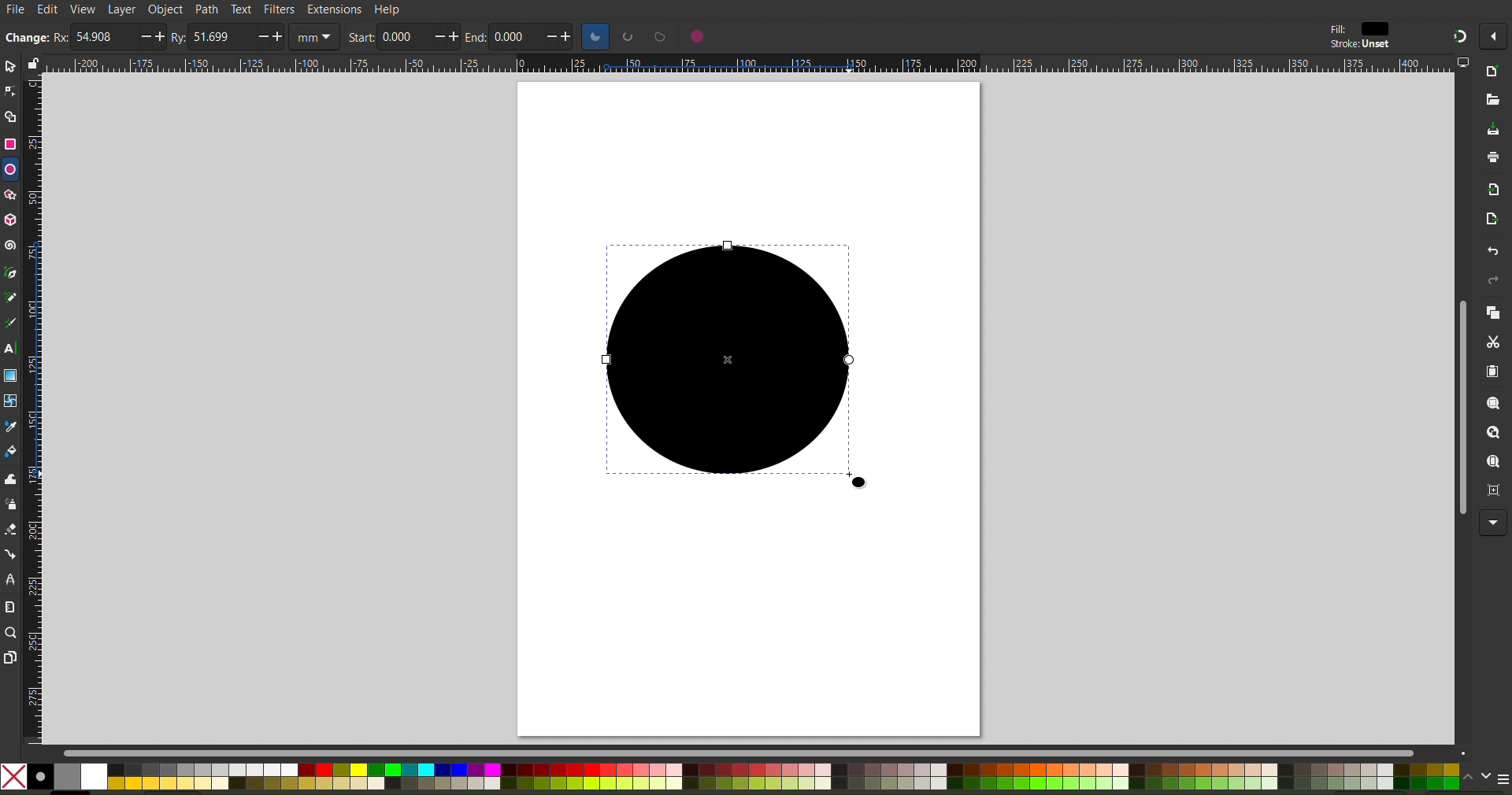 Image resolution: width=1512 pixels, height=795 pixels. What do you see at coordinates (1492, 249) in the screenshot?
I see `Undo` at bounding box center [1492, 249].